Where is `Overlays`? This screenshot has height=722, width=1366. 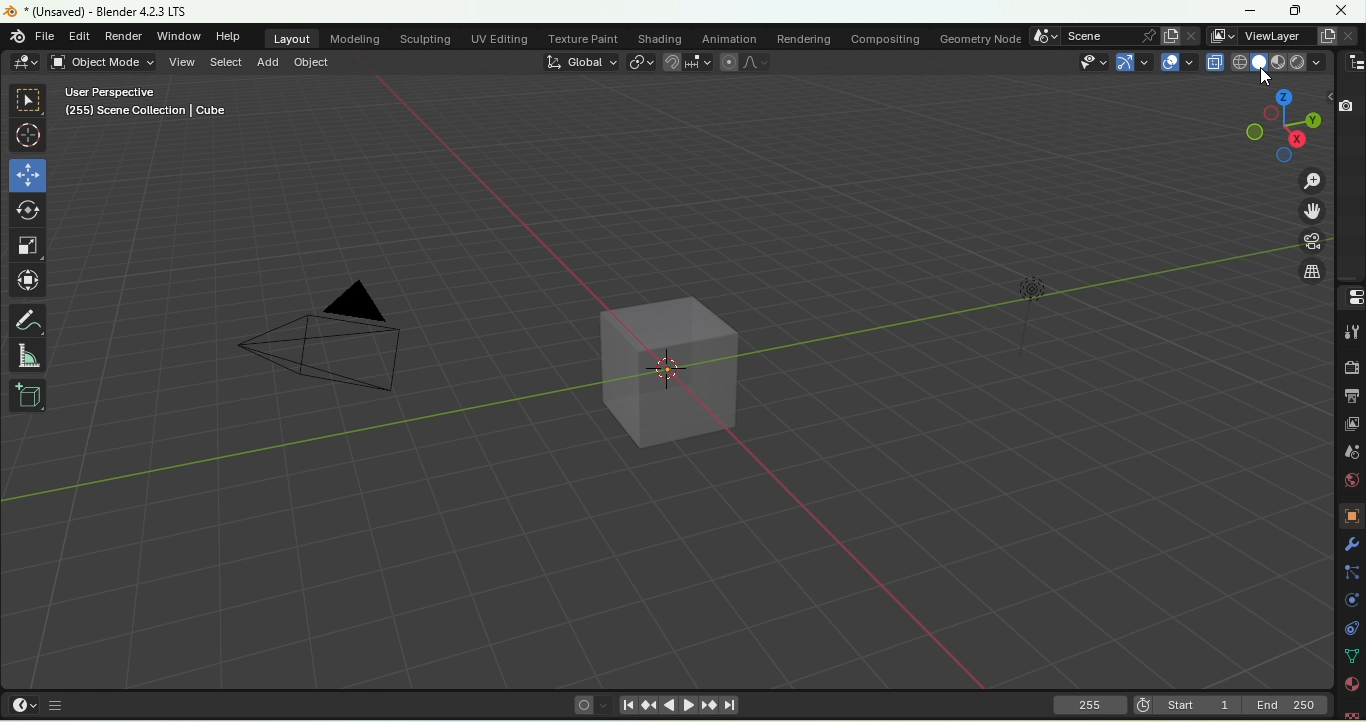 Overlays is located at coordinates (1177, 63).